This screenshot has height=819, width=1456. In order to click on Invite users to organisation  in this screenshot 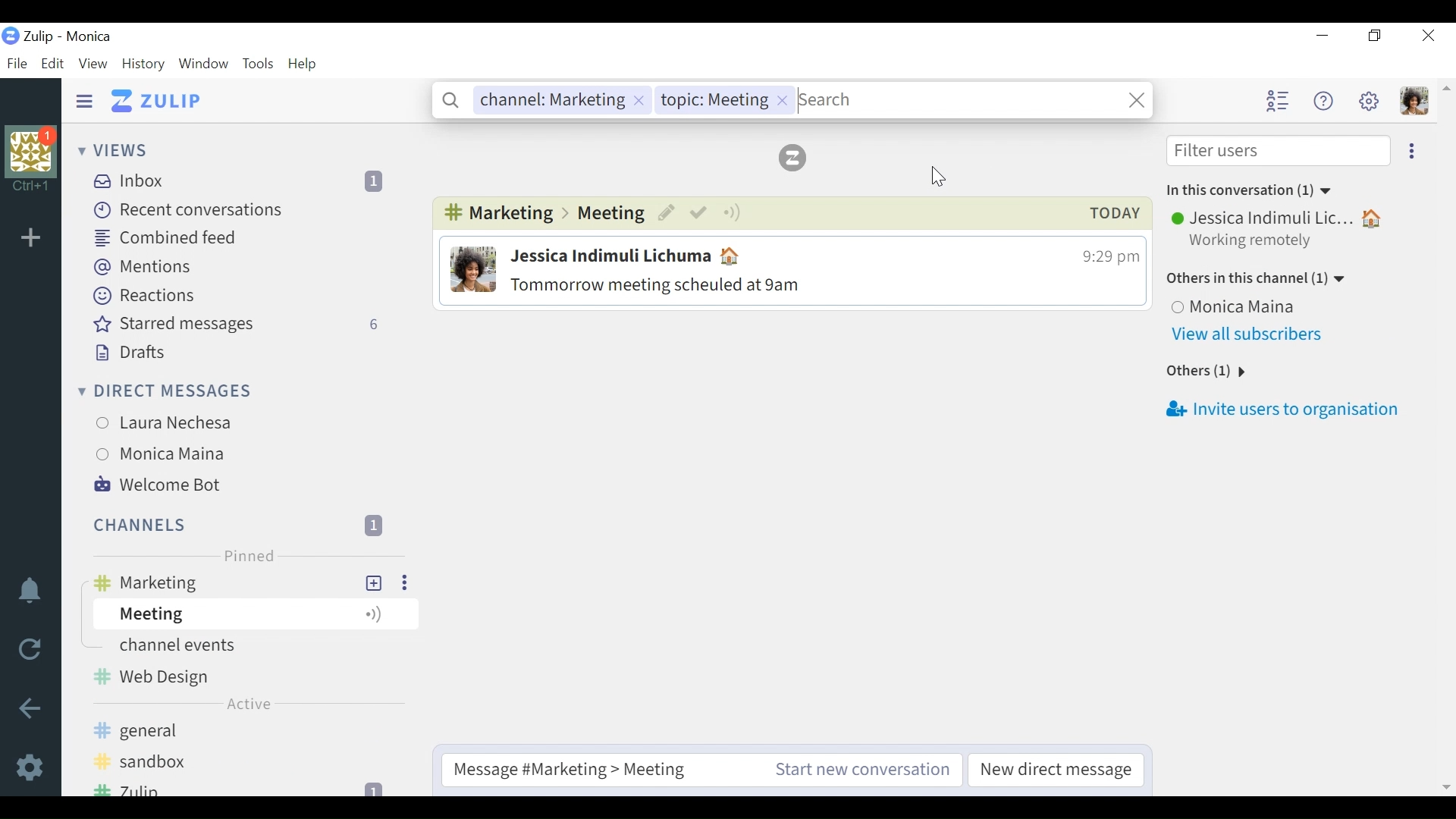, I will do `click(1278, 410)`.